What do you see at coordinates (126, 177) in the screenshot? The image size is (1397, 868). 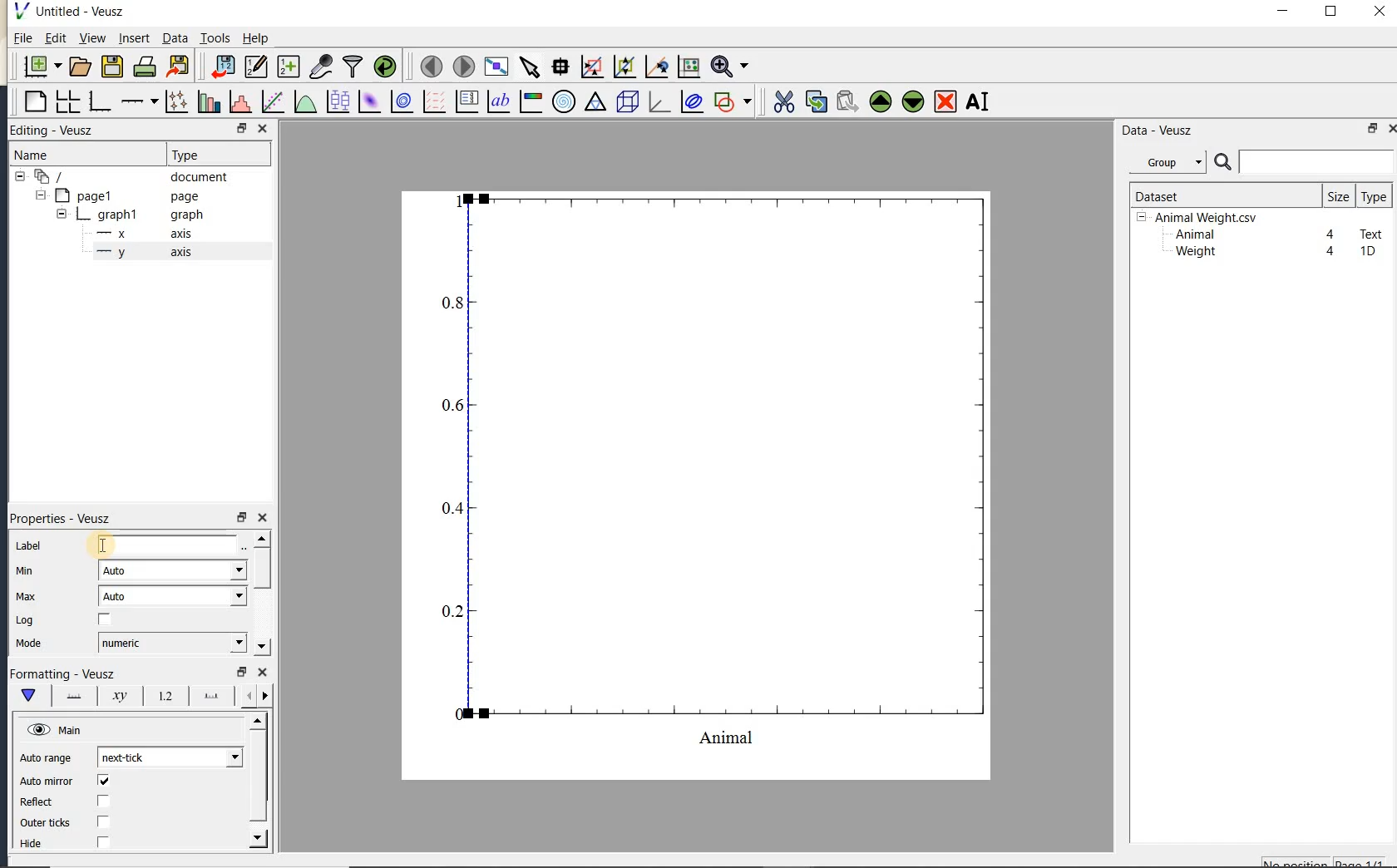 I see `document` at bounding box center [126, 177].